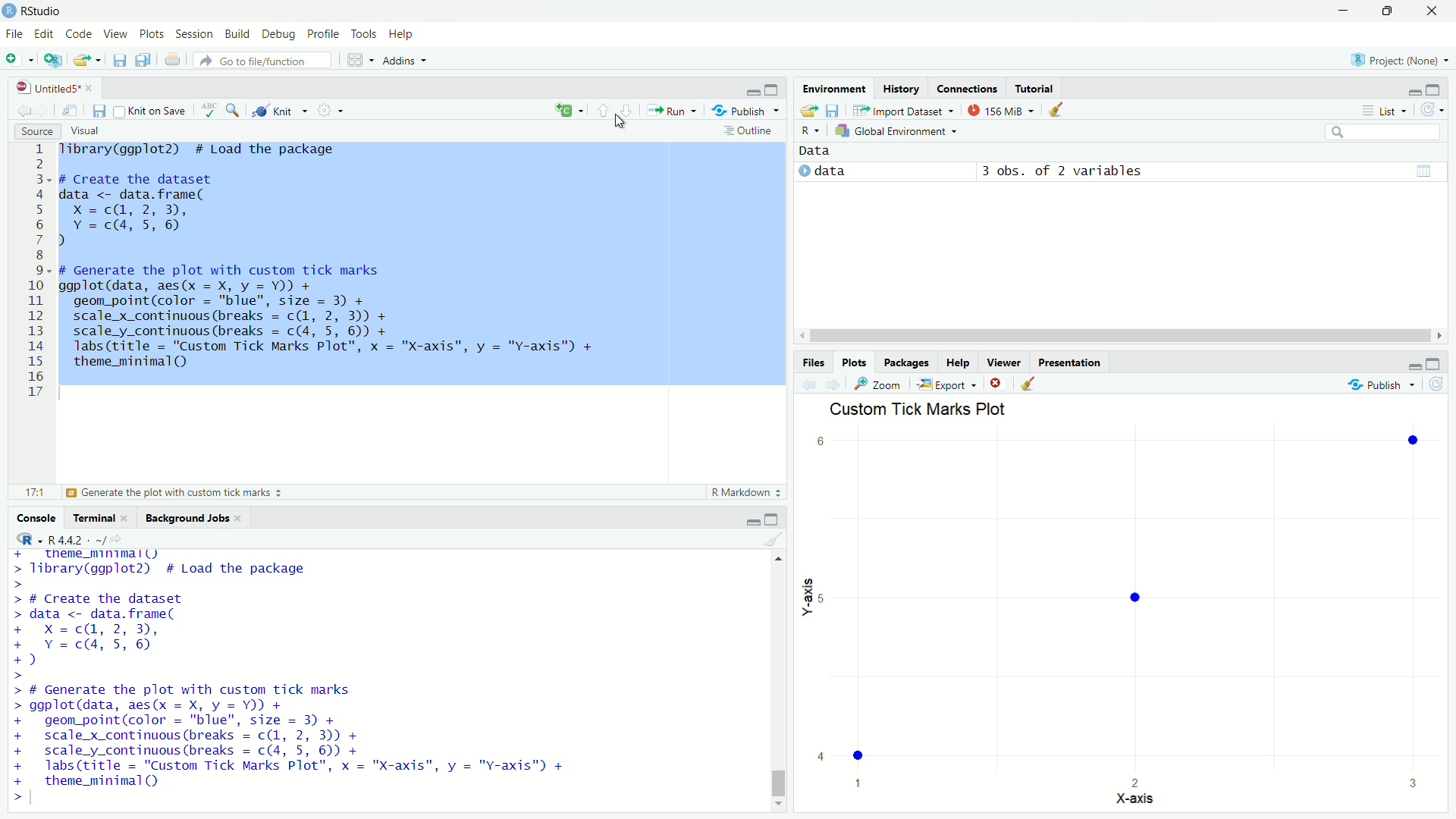 This screenshot has width=1456, height=819. Describe the element at coordinates (1385, 9) in the screenshot. I see `maximize` at that location.